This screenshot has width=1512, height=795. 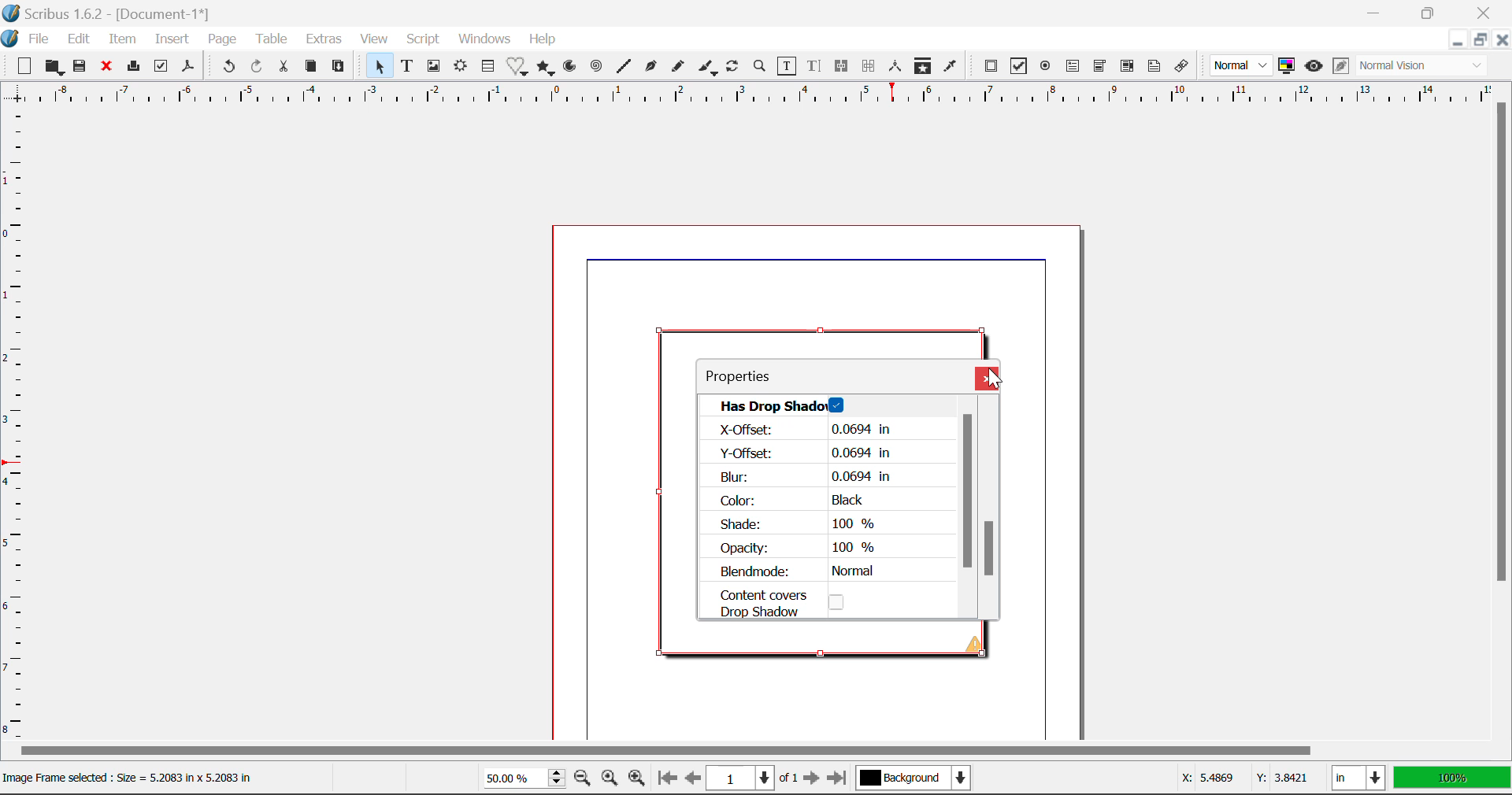 I want to click on Restore Down, so click(x=1455, y=42).